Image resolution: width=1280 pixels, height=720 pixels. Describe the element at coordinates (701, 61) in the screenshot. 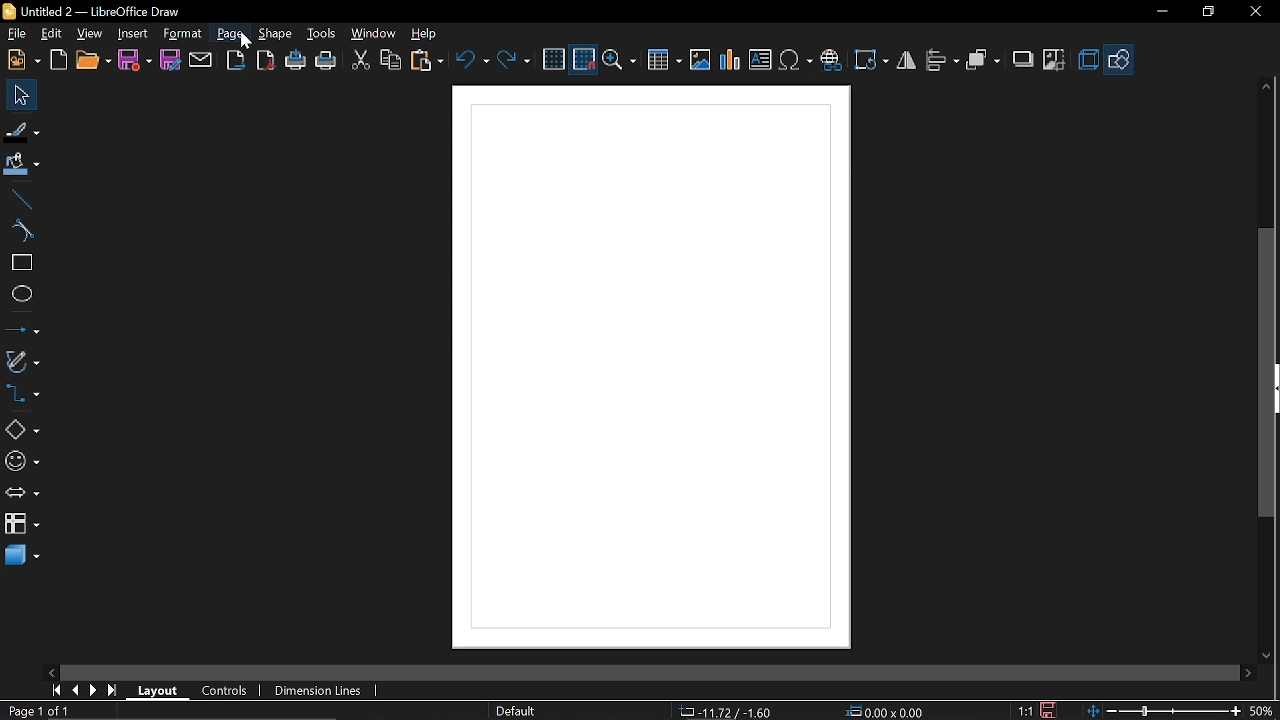

I see `Insert Image` at that location.